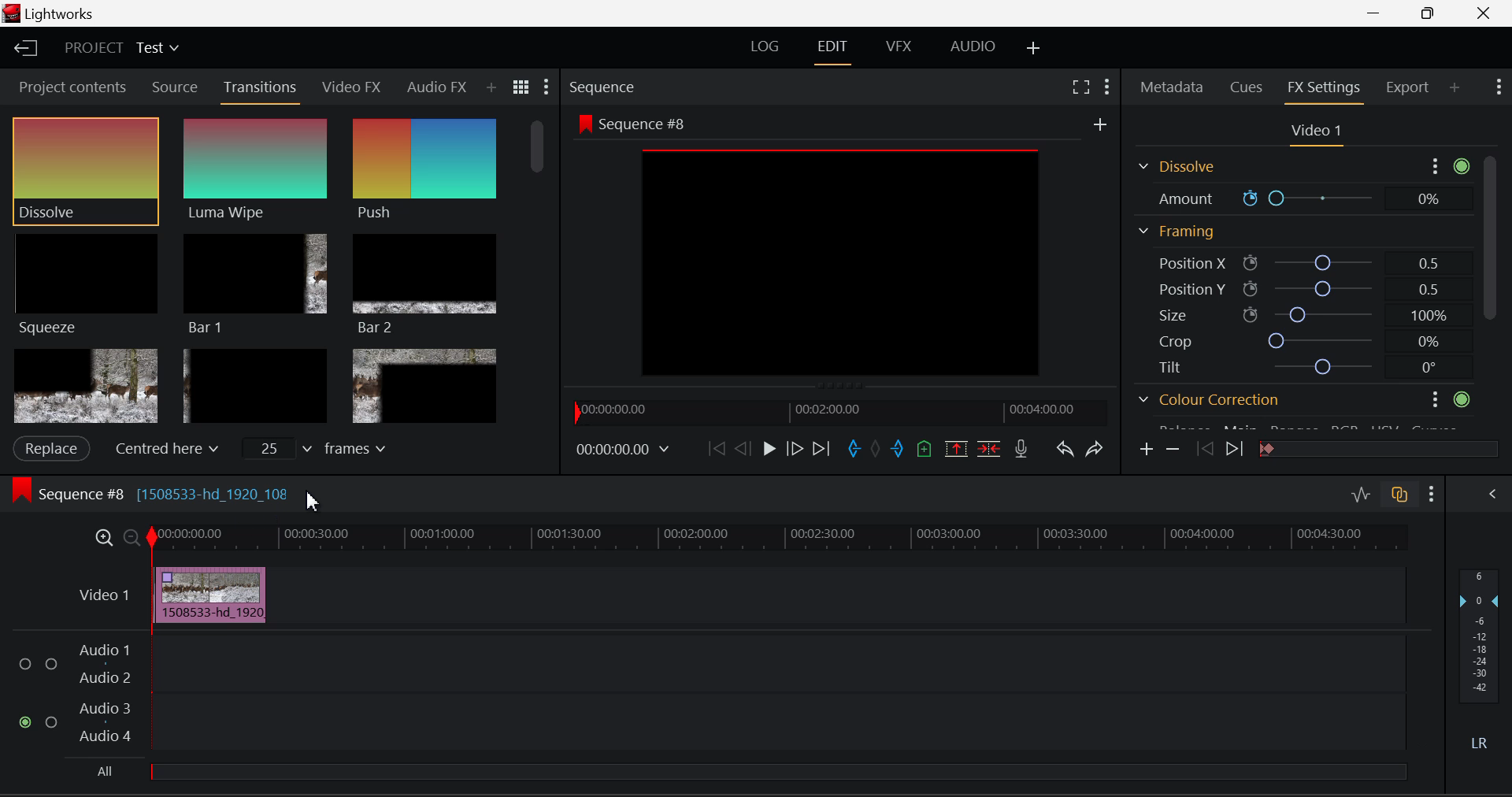  I want to click on Sequence #8 Editing Section, so click(148, 493).